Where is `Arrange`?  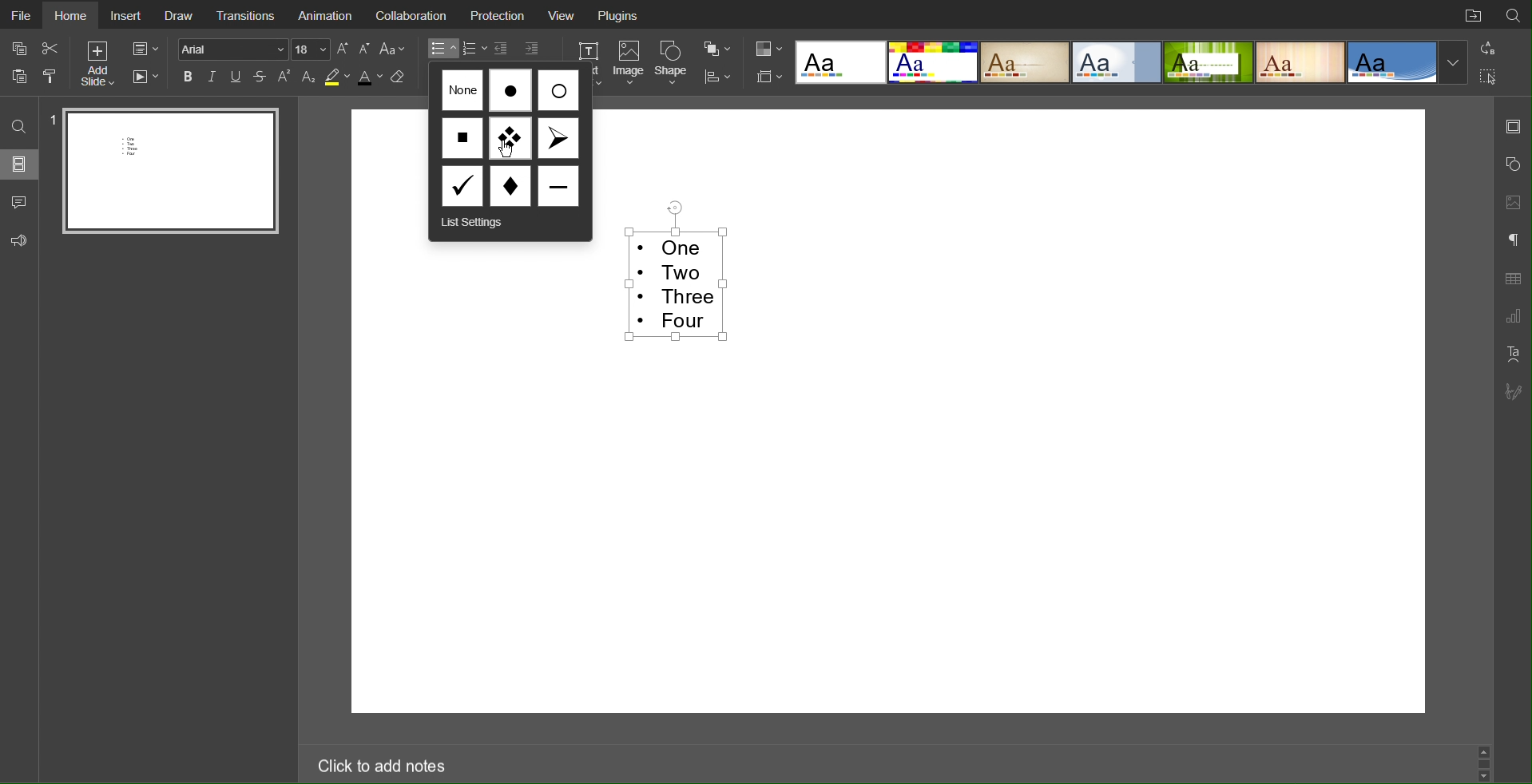
Arrange is located at coordinates (717, 49).